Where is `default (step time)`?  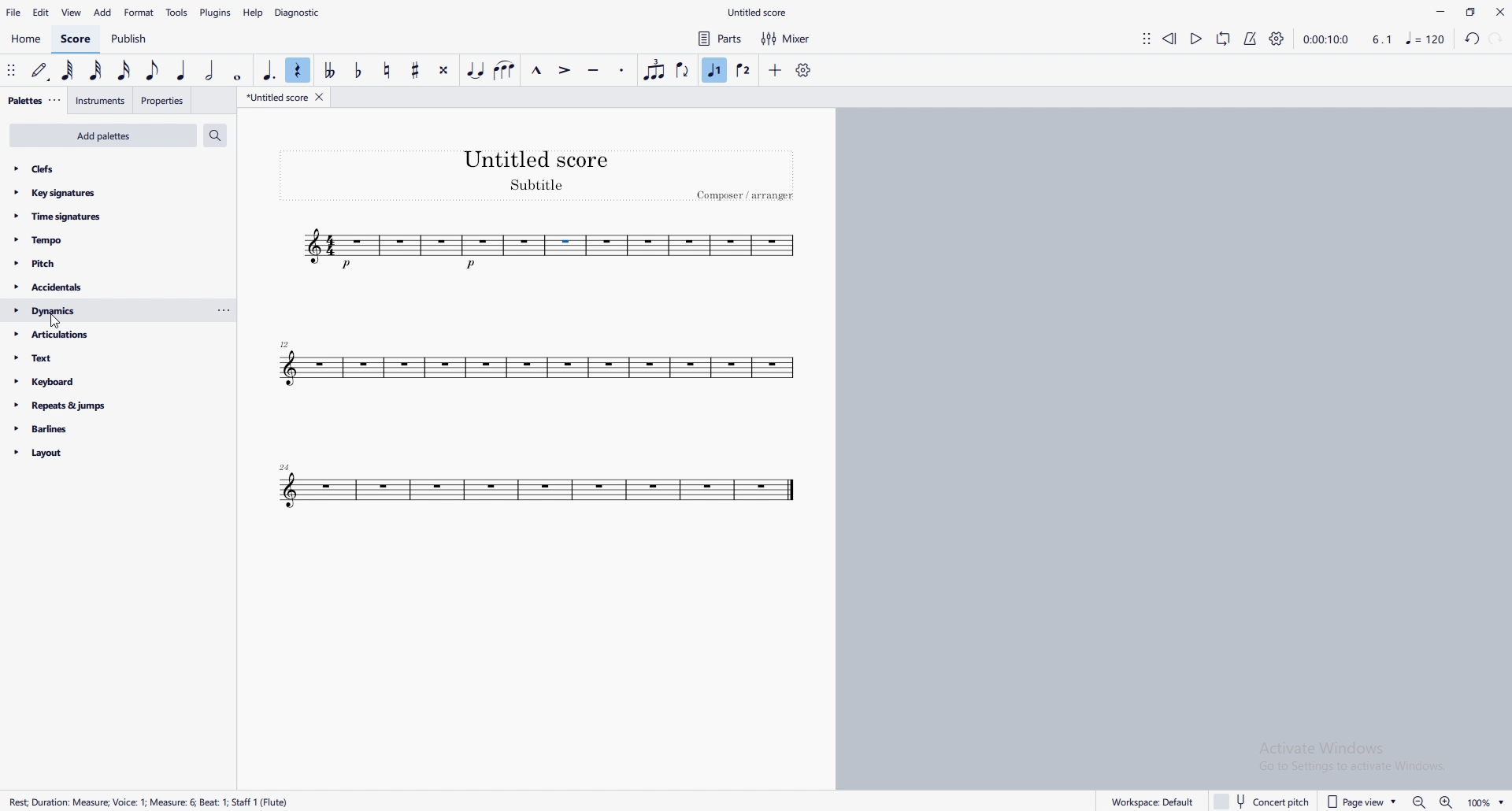 default (step time) is located at coordinates (41, 72).